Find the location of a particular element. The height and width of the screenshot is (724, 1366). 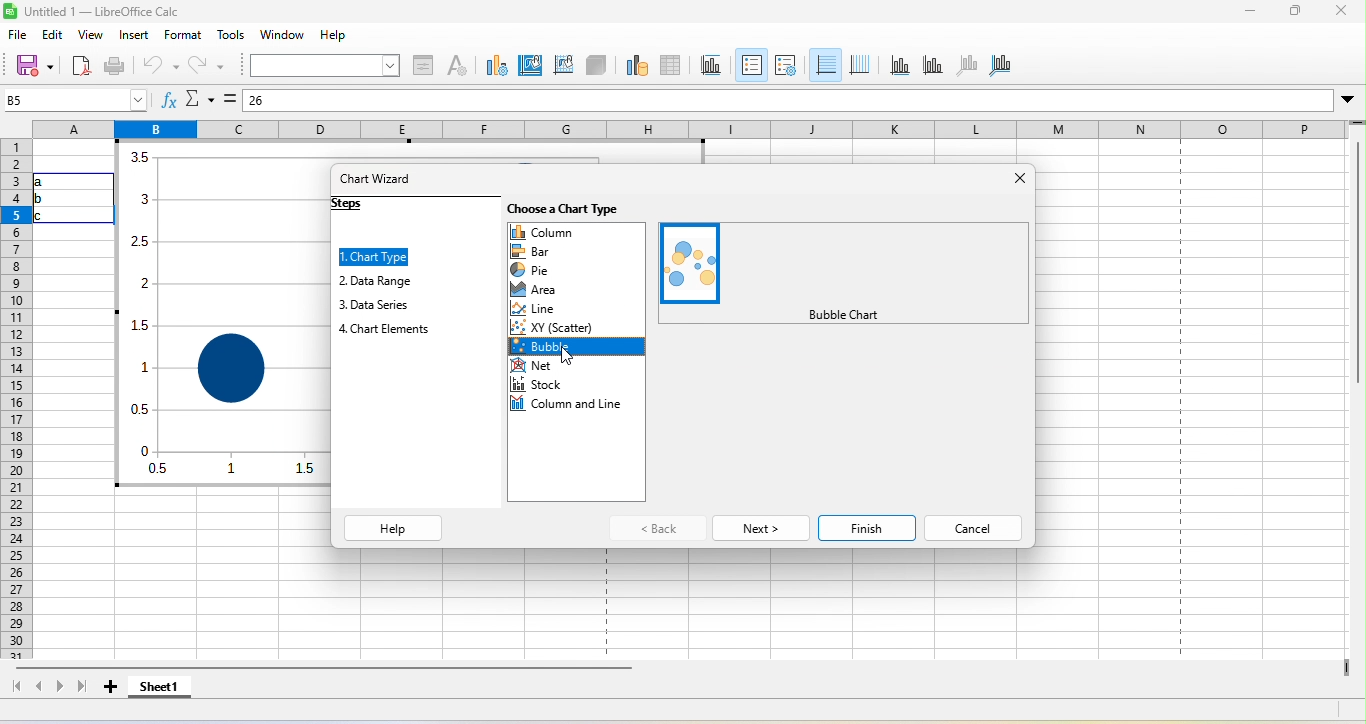

vertical grid is located at coordinates (859, 63).